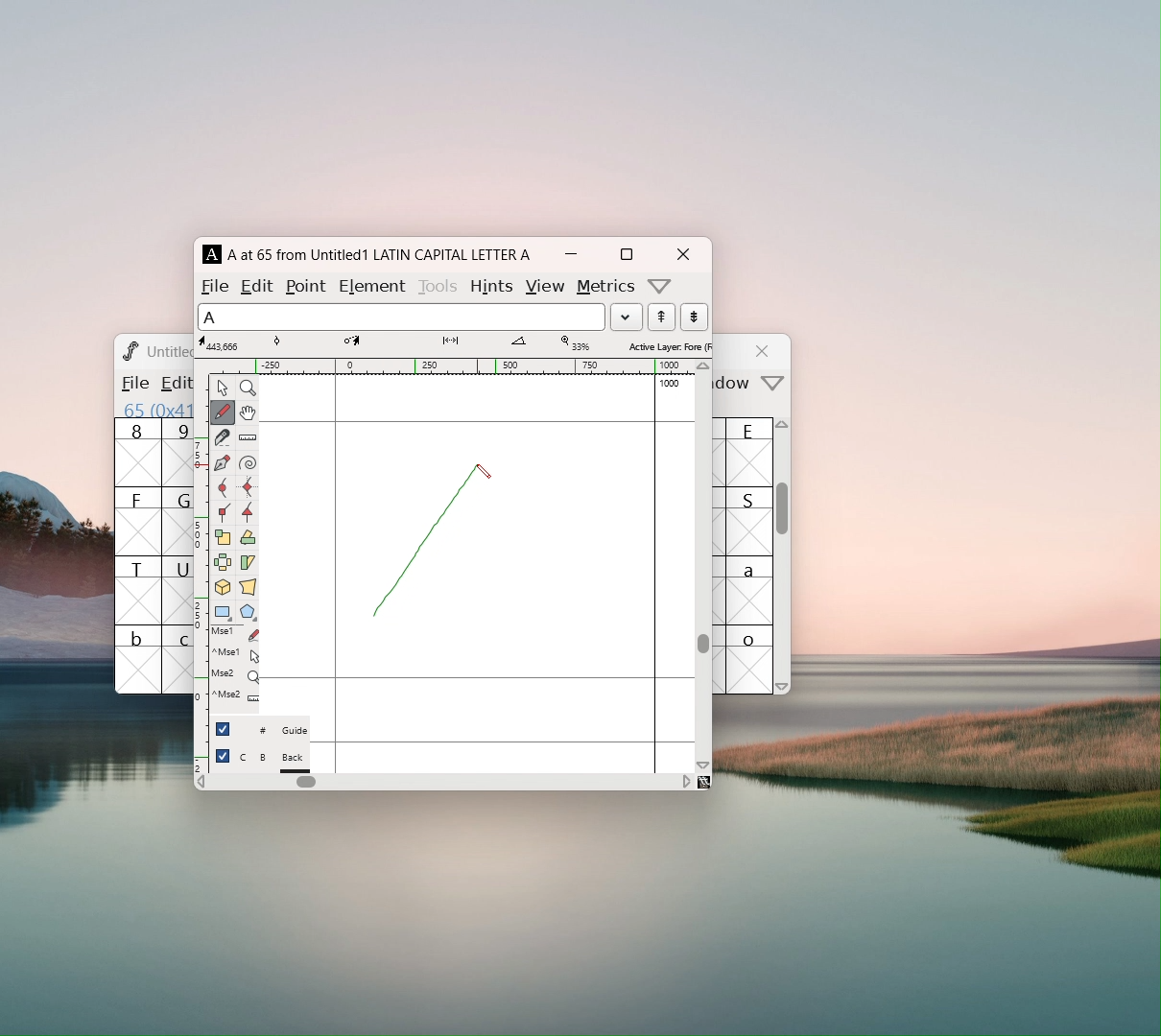  I want to click on polygon or star, so click(249, 614).